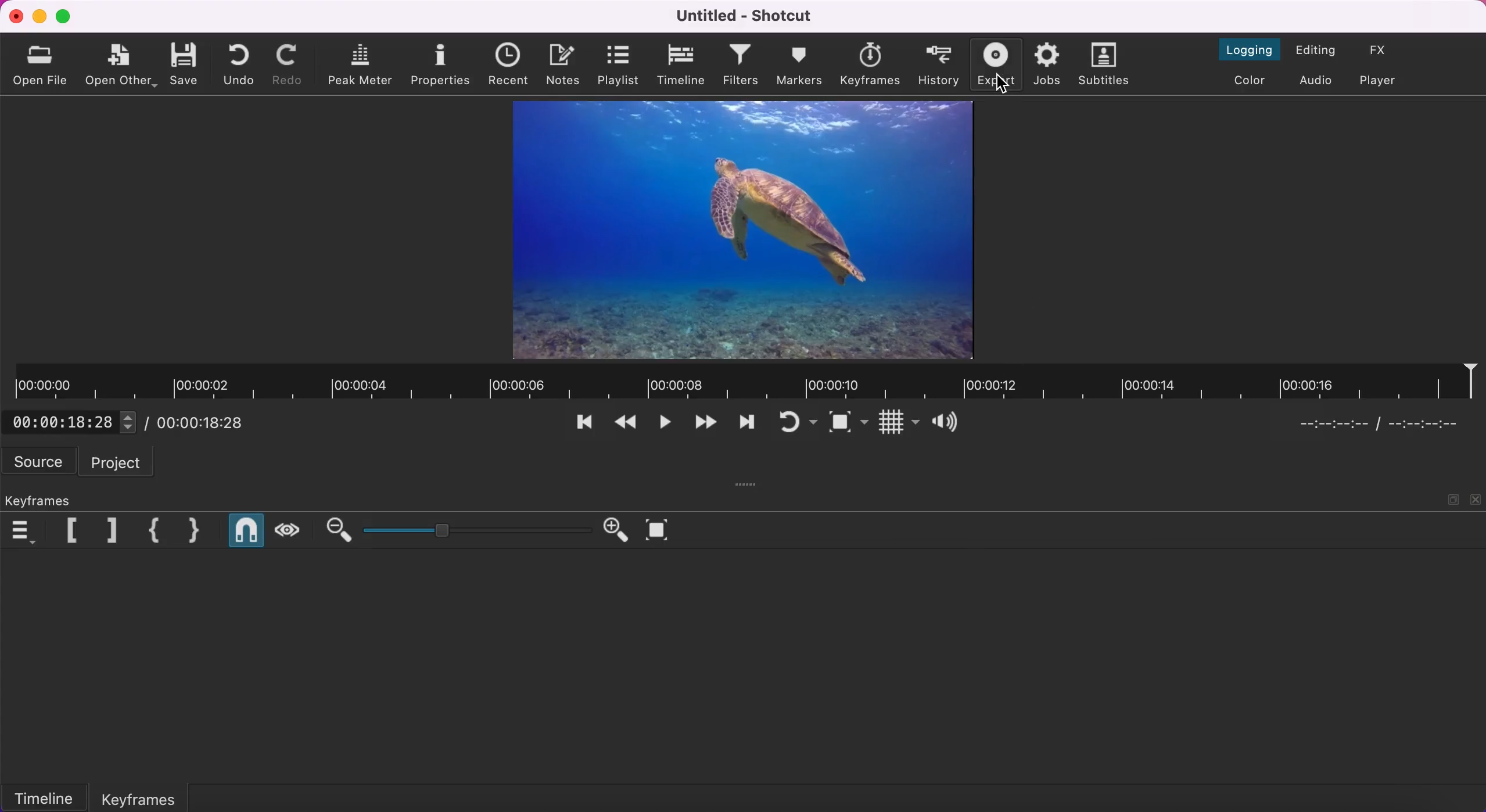 Image resolution: width=1486 pixels, height=812 pixels. What do you see at coordinates (441, 62) in the screenshot?
I see `properties` at bounding box center [441, 62].